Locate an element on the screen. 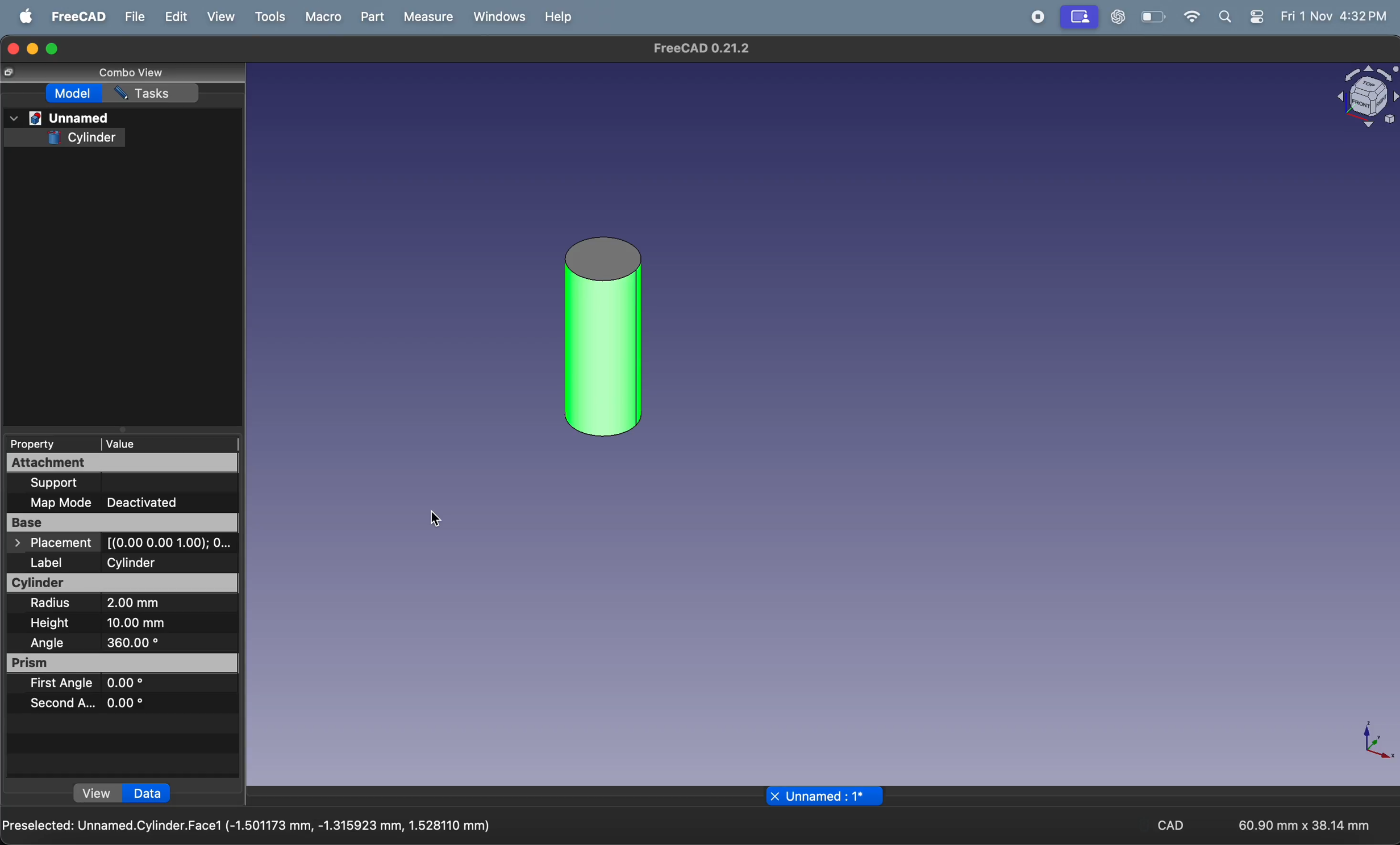 Image resolution: width=1400 pixels, height=845 pixels. cylinder is located at coordinates (124, 583).